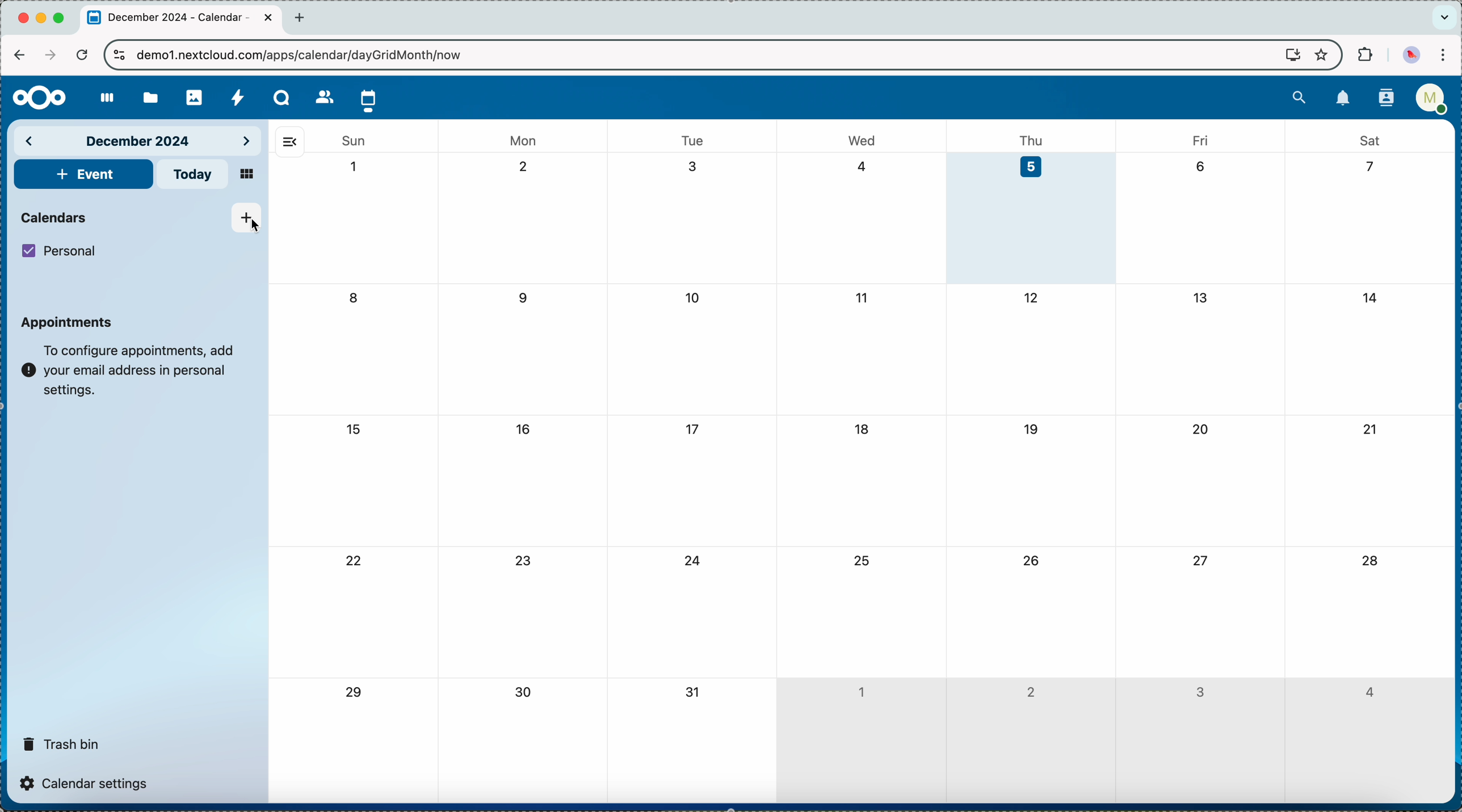  Describe the element at coordinates (43, 19) in the screenshot. I see `minimize` at that location.